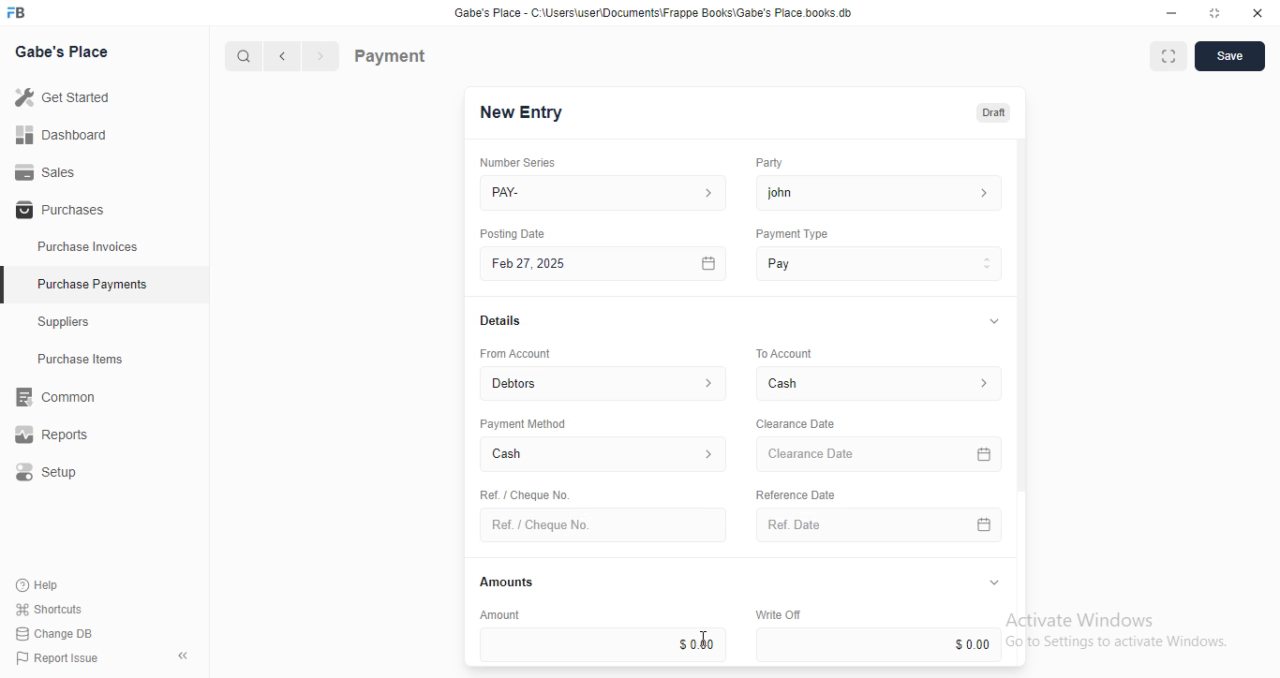 This screenshot has width=1280, height=678. I want to click on Sales, so click(45, 171).